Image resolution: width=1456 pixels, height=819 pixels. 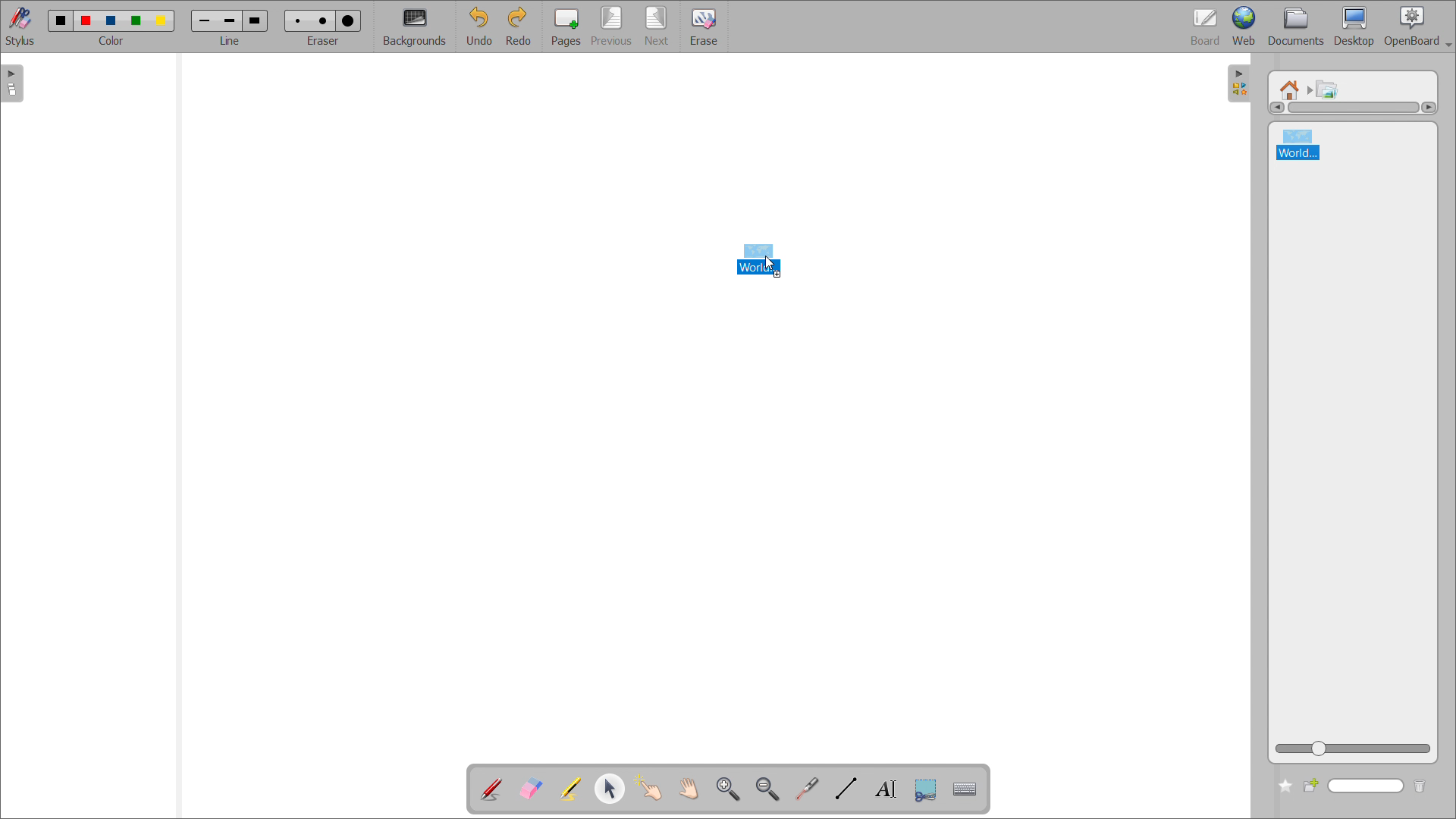 I want to click on open pages view, so click(x=11, y=84).